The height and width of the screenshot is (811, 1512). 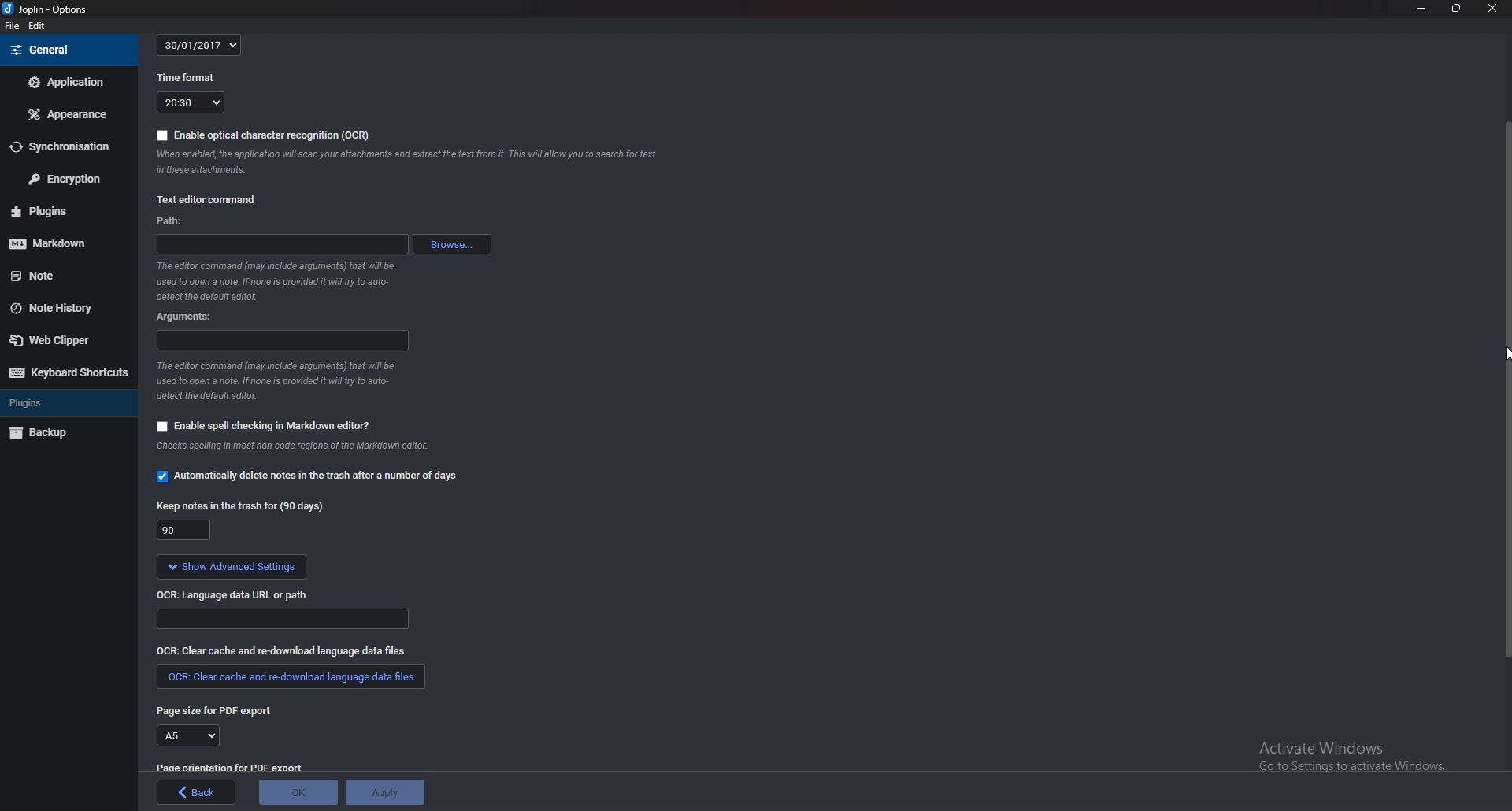 What do you see at coordinates (66, 146) in the screenshot?
I see `Synchronization` at bounding box center [66, 146].